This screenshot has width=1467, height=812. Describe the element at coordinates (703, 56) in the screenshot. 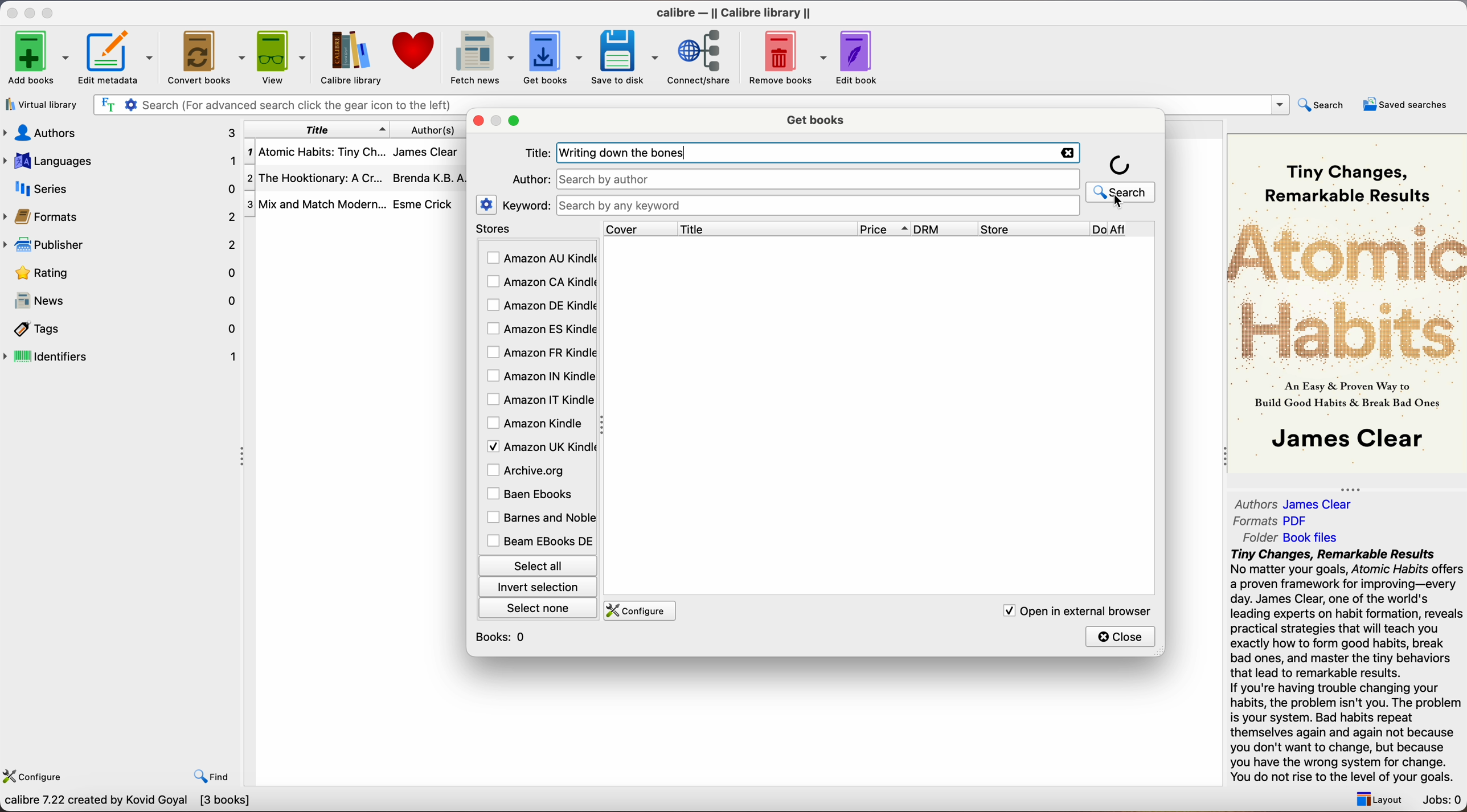

I see `connect/share` at that location.